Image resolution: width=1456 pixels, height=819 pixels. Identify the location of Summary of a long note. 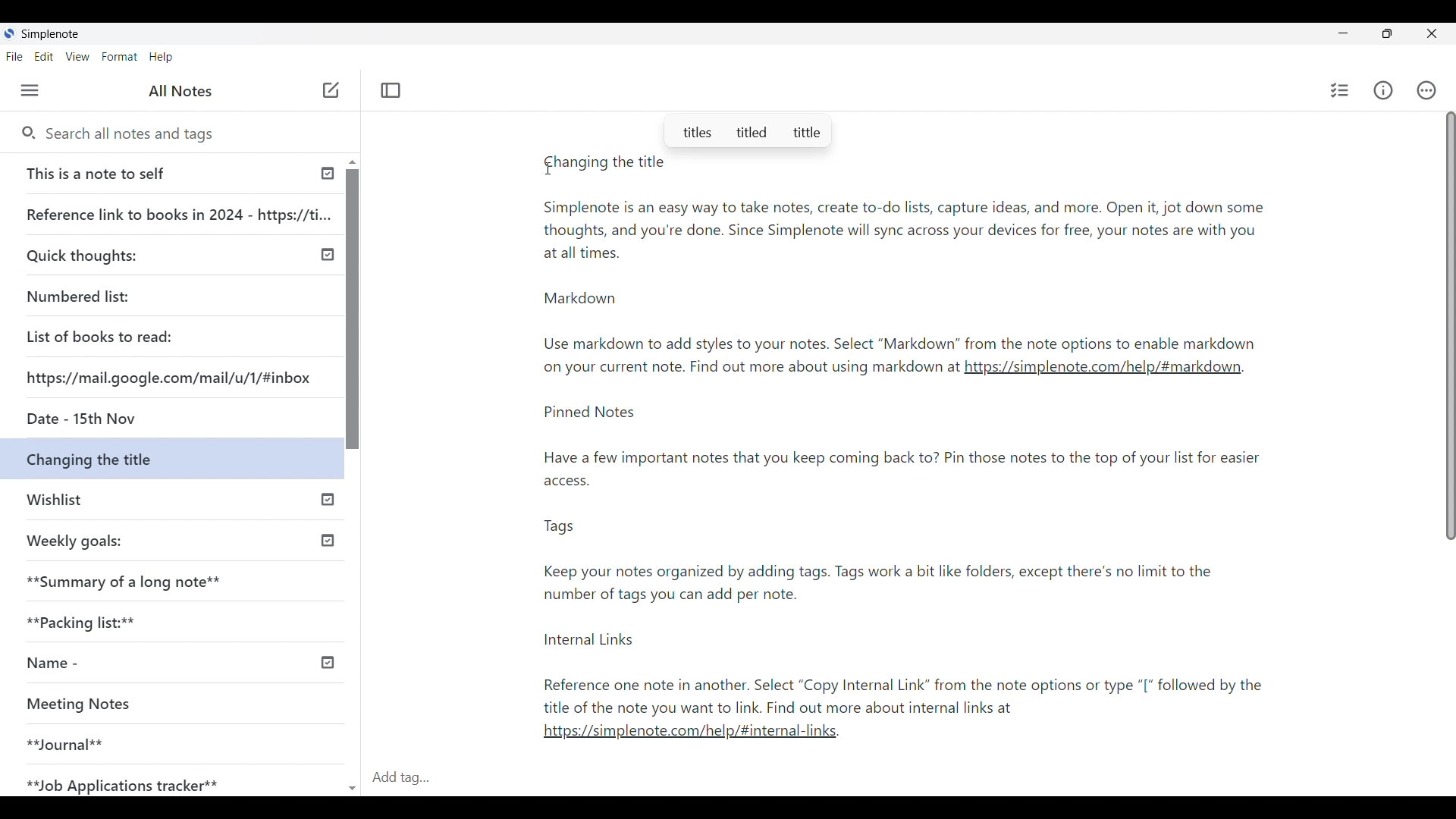
(125, 581).